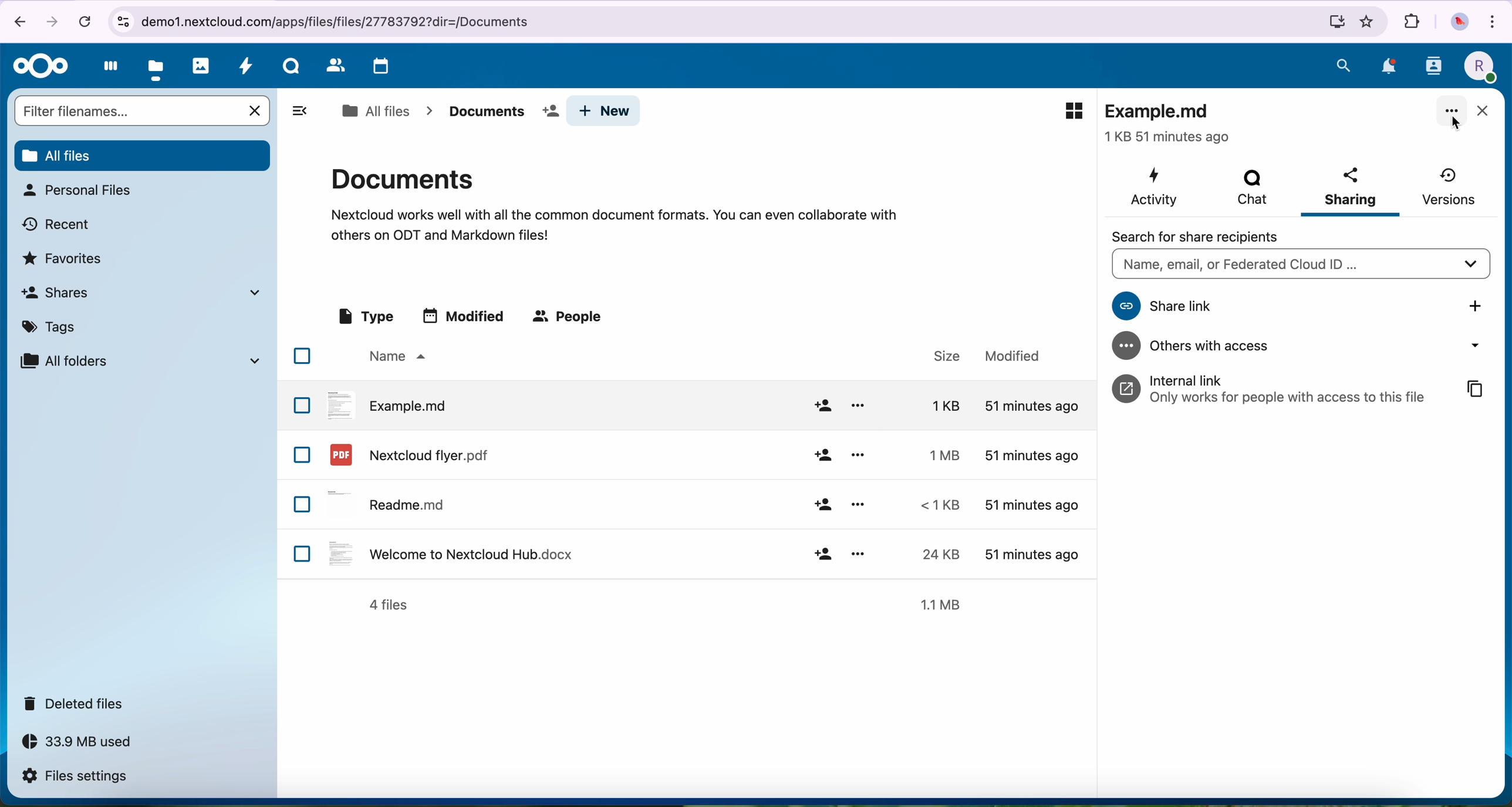 This screenshot has height=807, width=1512. What do you see at coordinates (1478, 67) in the screenshot?
I see `profile` at bounding box center [1478, 67].